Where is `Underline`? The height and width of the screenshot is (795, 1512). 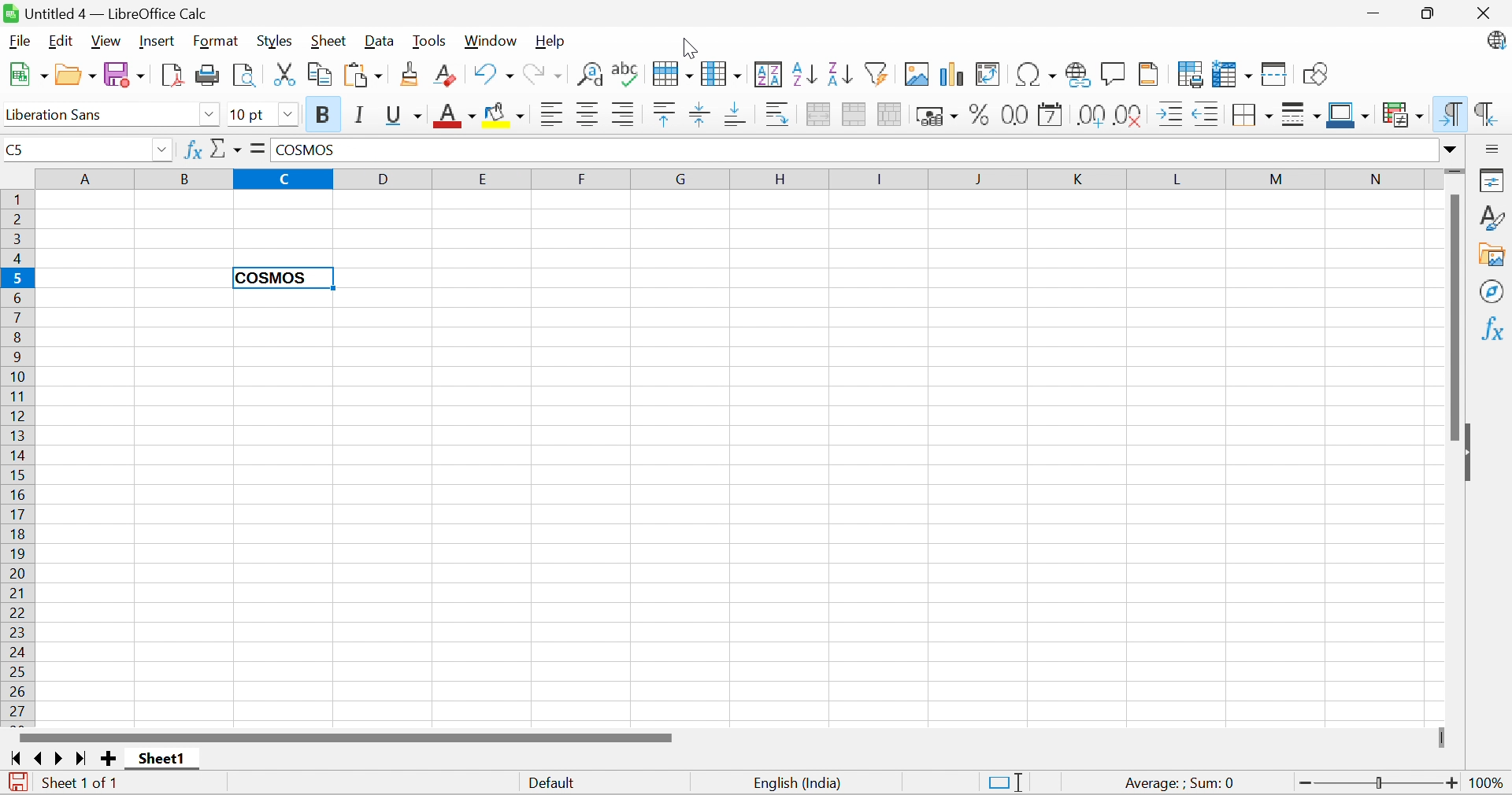
Underline is located at coordinates (402, 116).